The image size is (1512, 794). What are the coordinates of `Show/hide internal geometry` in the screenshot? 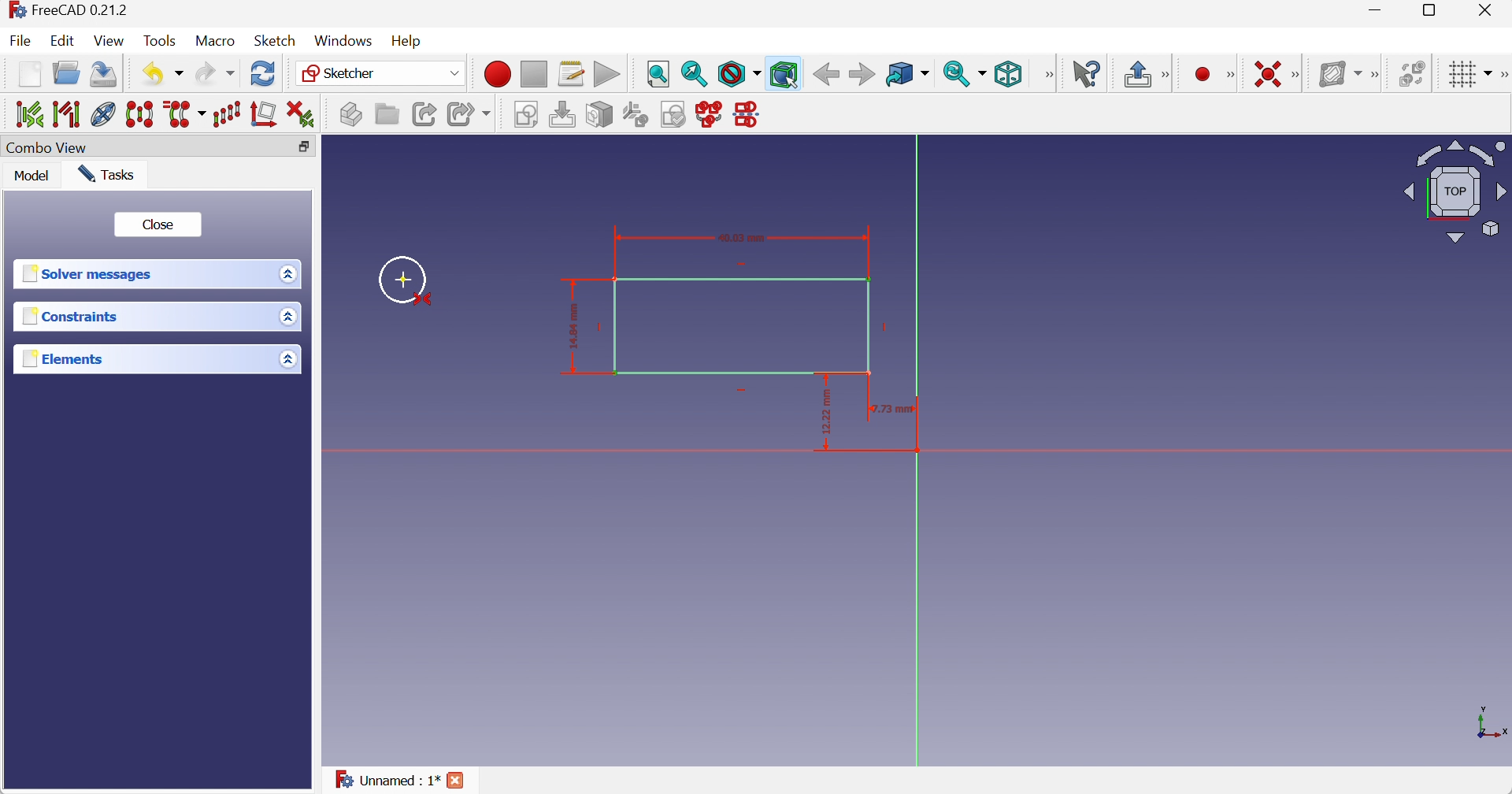 It's located at (103, 114).